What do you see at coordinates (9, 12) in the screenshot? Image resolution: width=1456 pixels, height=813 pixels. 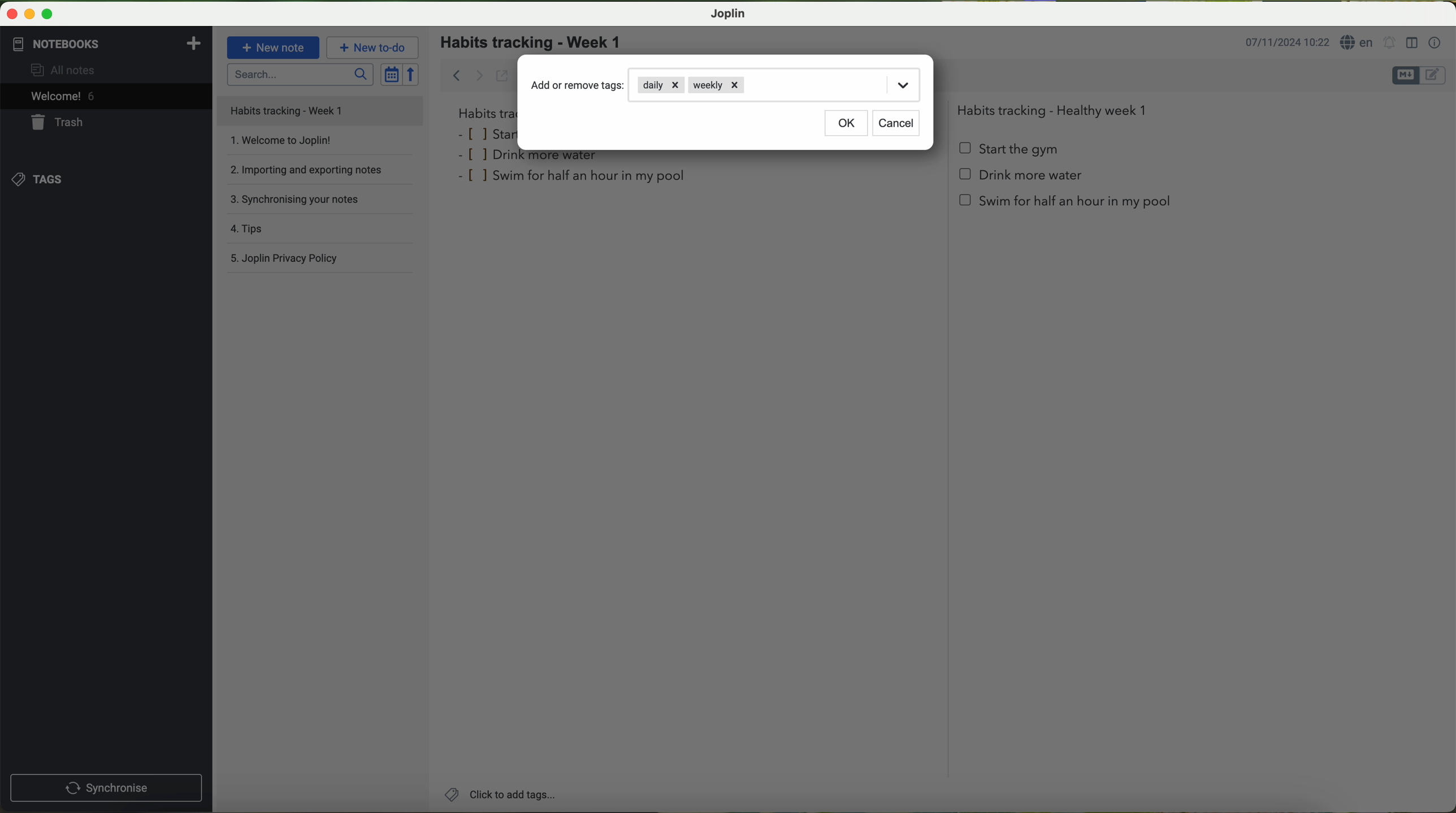 I see `close` at bounding box center [9, 12].